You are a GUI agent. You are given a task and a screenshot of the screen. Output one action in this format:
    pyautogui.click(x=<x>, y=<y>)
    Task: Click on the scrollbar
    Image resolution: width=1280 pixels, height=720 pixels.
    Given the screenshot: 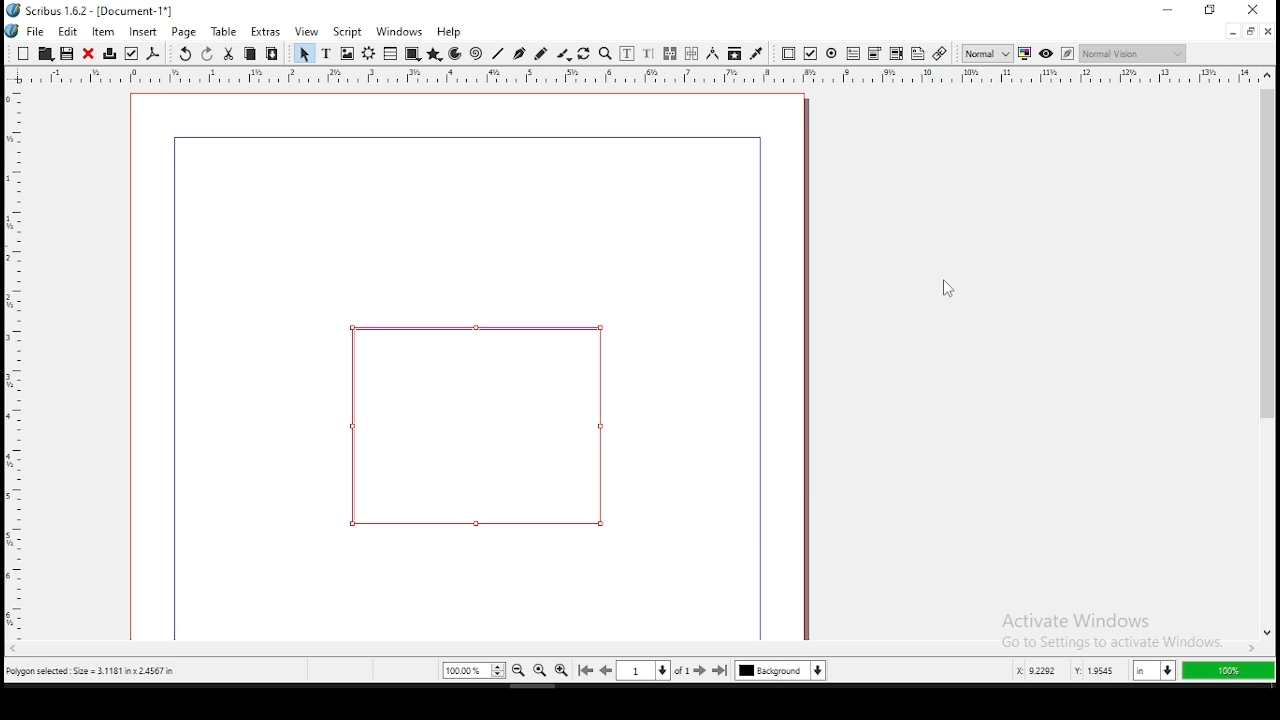 What is the action you would take?
    pyautogui.click(x=805, y=370)
    